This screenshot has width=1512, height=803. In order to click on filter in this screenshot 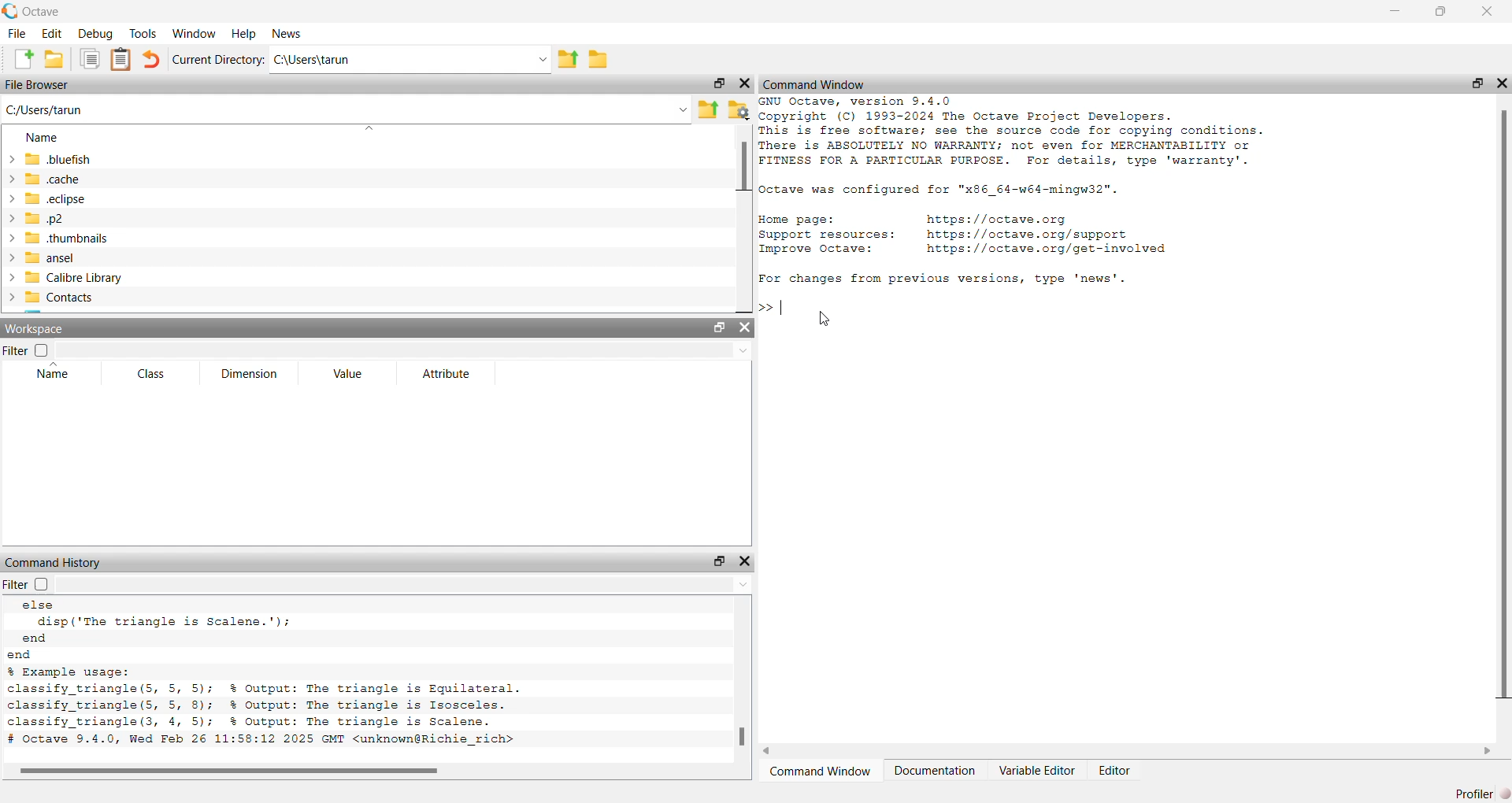, I will do `click(28, 351)`.